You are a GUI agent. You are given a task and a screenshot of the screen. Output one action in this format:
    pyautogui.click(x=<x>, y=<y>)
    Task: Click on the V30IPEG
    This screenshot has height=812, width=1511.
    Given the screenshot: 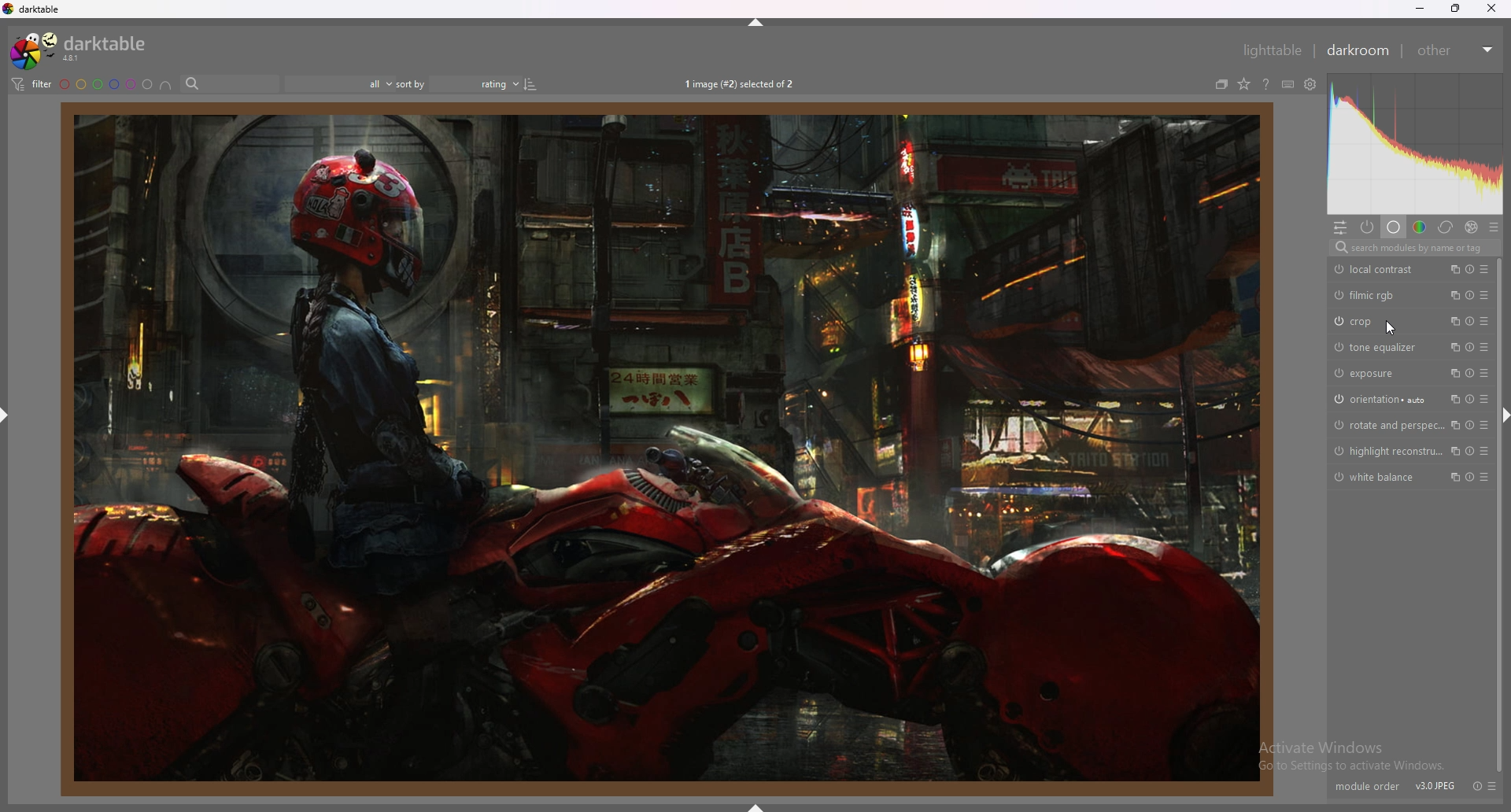 What is the action you would take?
    pyautogui.click(x=1439, y=782)
    